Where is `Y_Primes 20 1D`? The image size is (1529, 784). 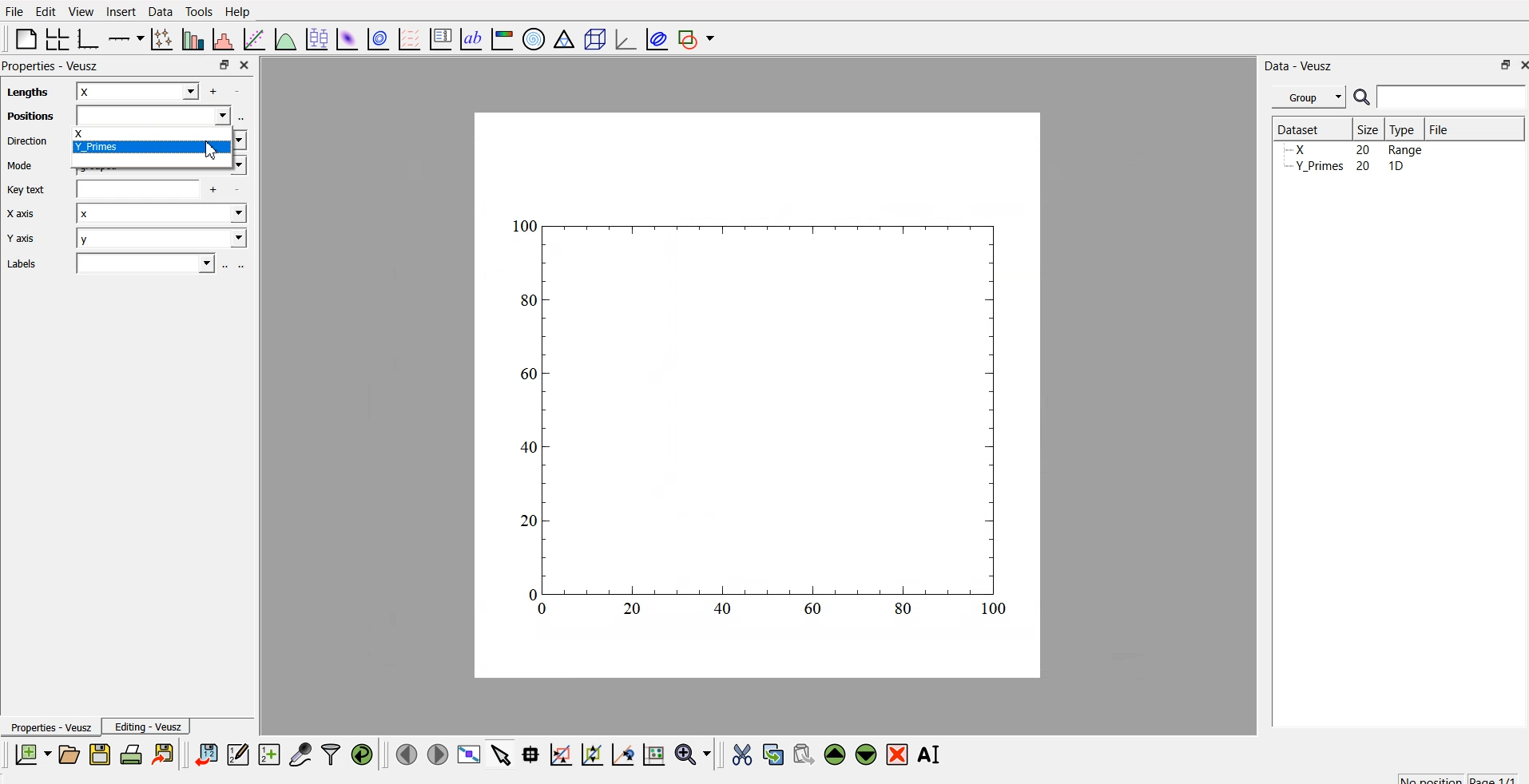 Y_Primes 20 1D is located at coordinates (1344, 151).